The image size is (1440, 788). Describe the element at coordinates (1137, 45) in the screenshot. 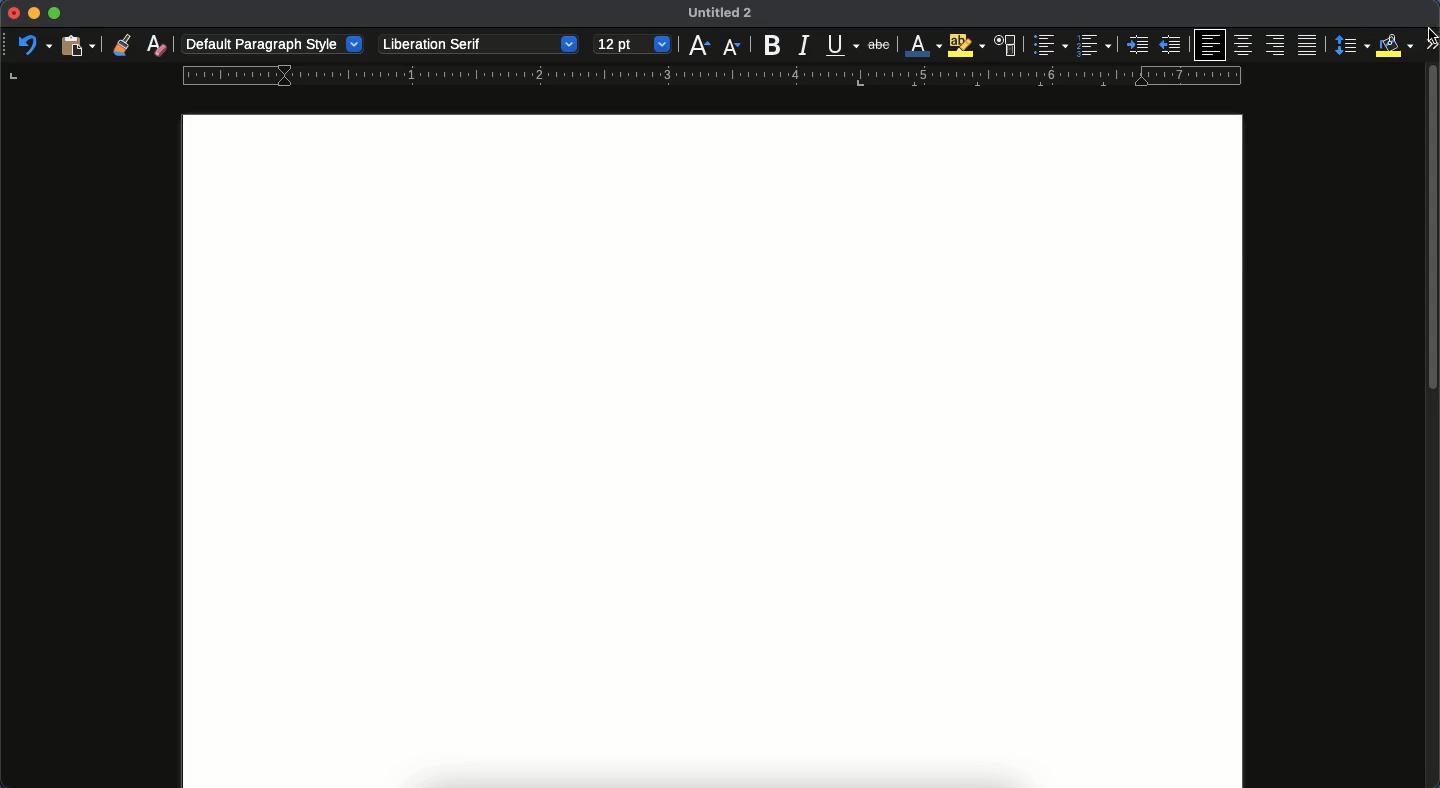

I see `indent` at that location.